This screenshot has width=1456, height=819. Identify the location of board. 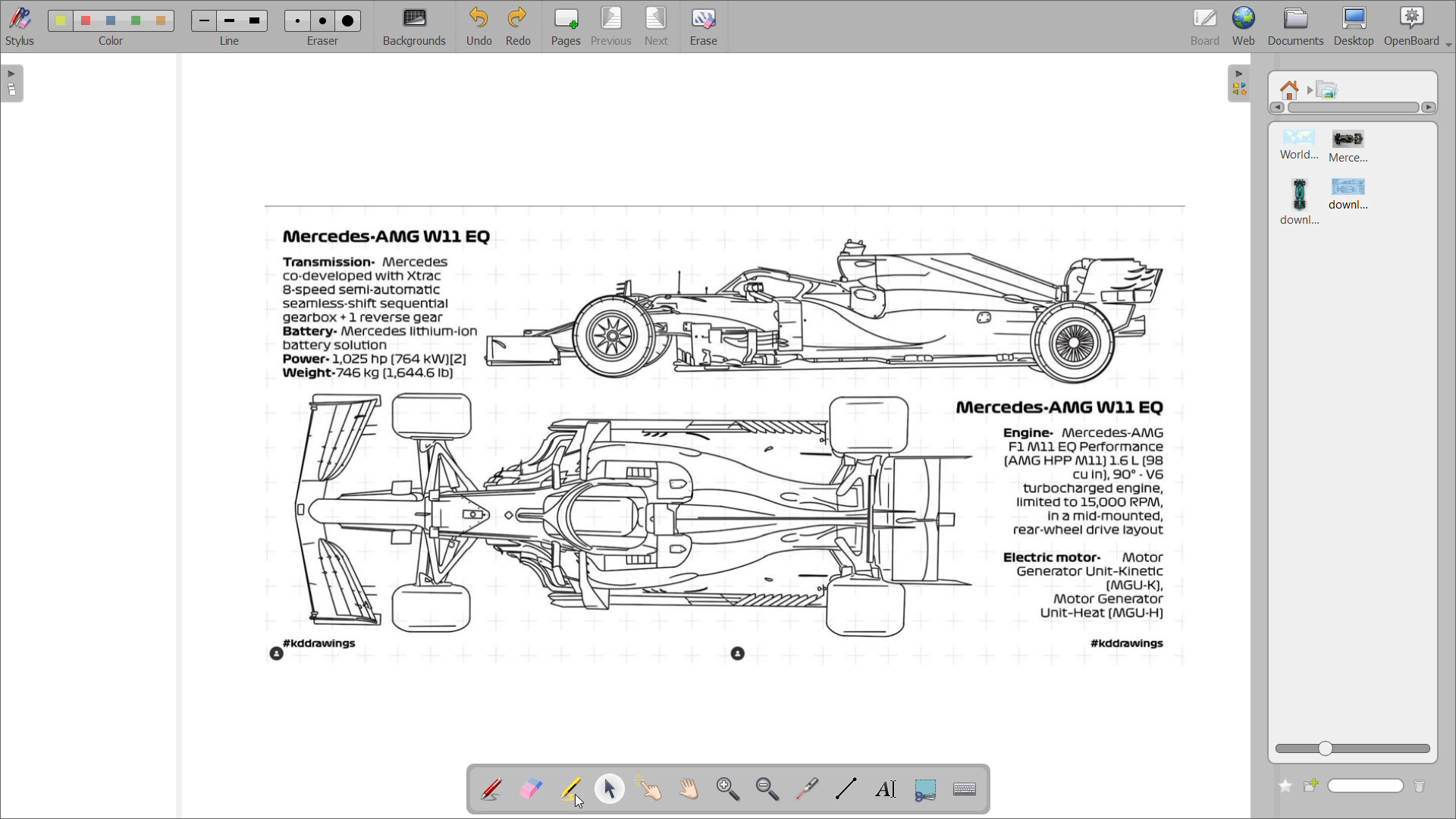
(1205, 27).